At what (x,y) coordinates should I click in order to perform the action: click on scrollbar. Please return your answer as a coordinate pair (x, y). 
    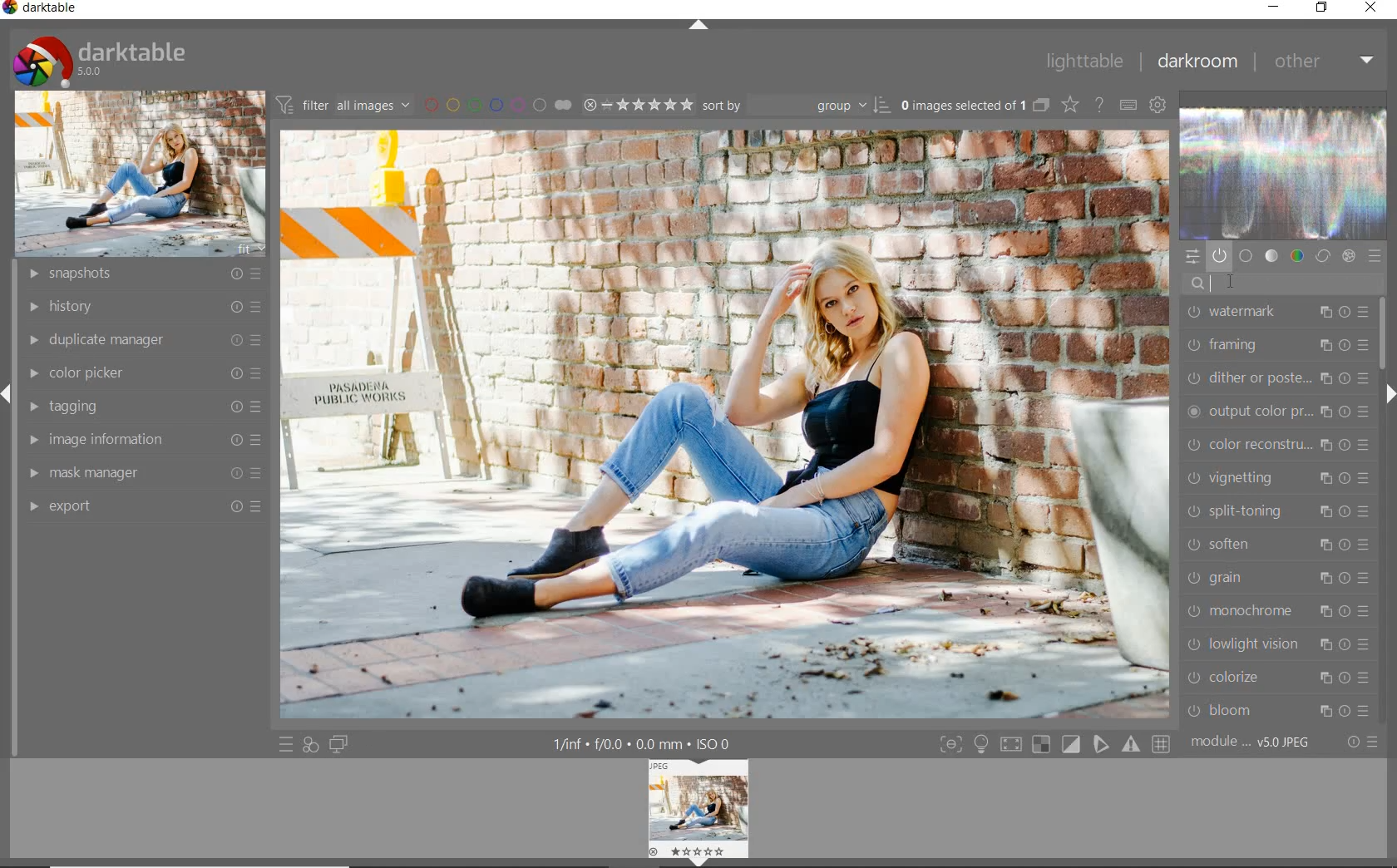
    Looking at the image, I should click on (1383, 334).